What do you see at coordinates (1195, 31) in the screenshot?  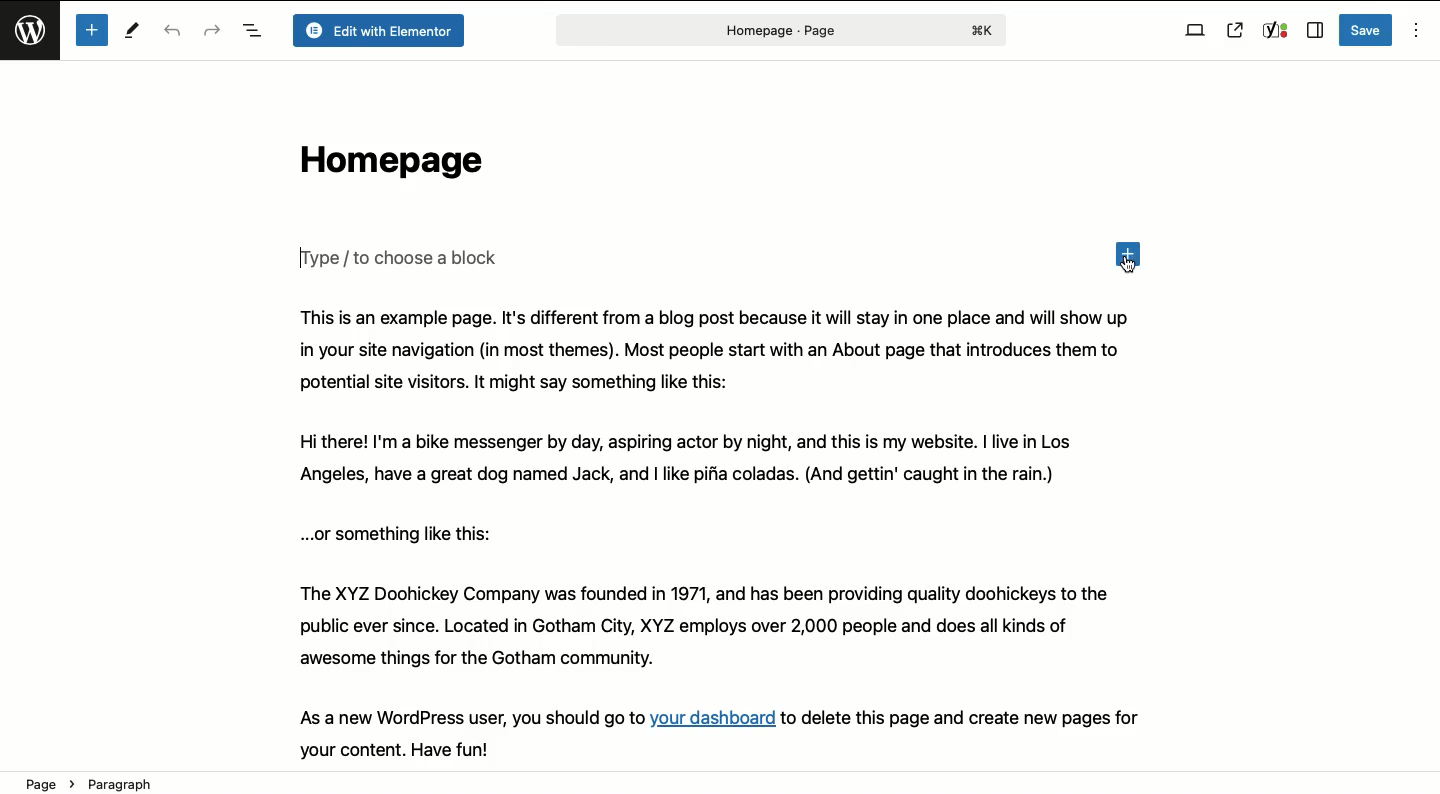 I see `View` at bounding box center [1195, 31].